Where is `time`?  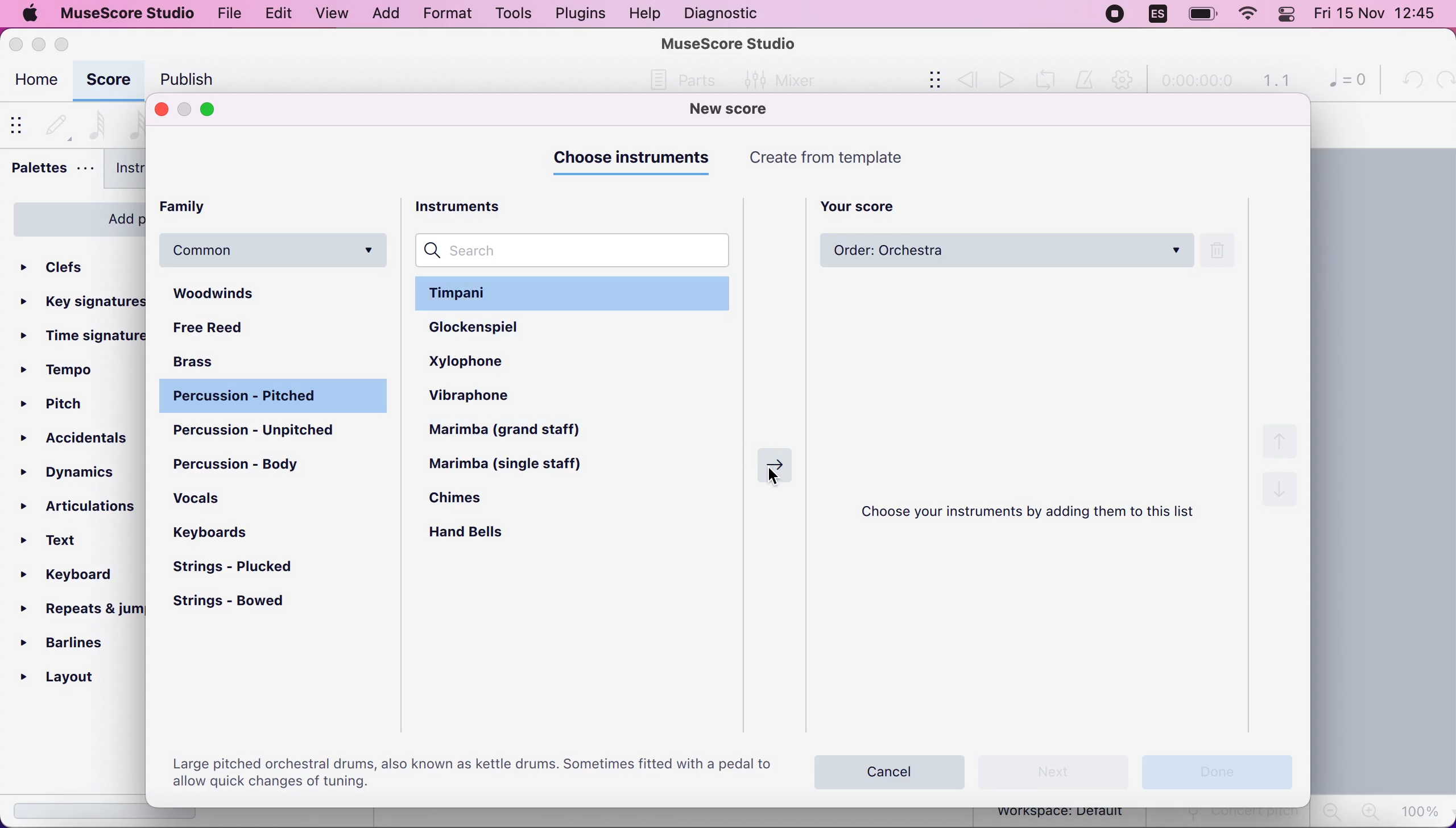
time is located at coordinates (1196, 82).